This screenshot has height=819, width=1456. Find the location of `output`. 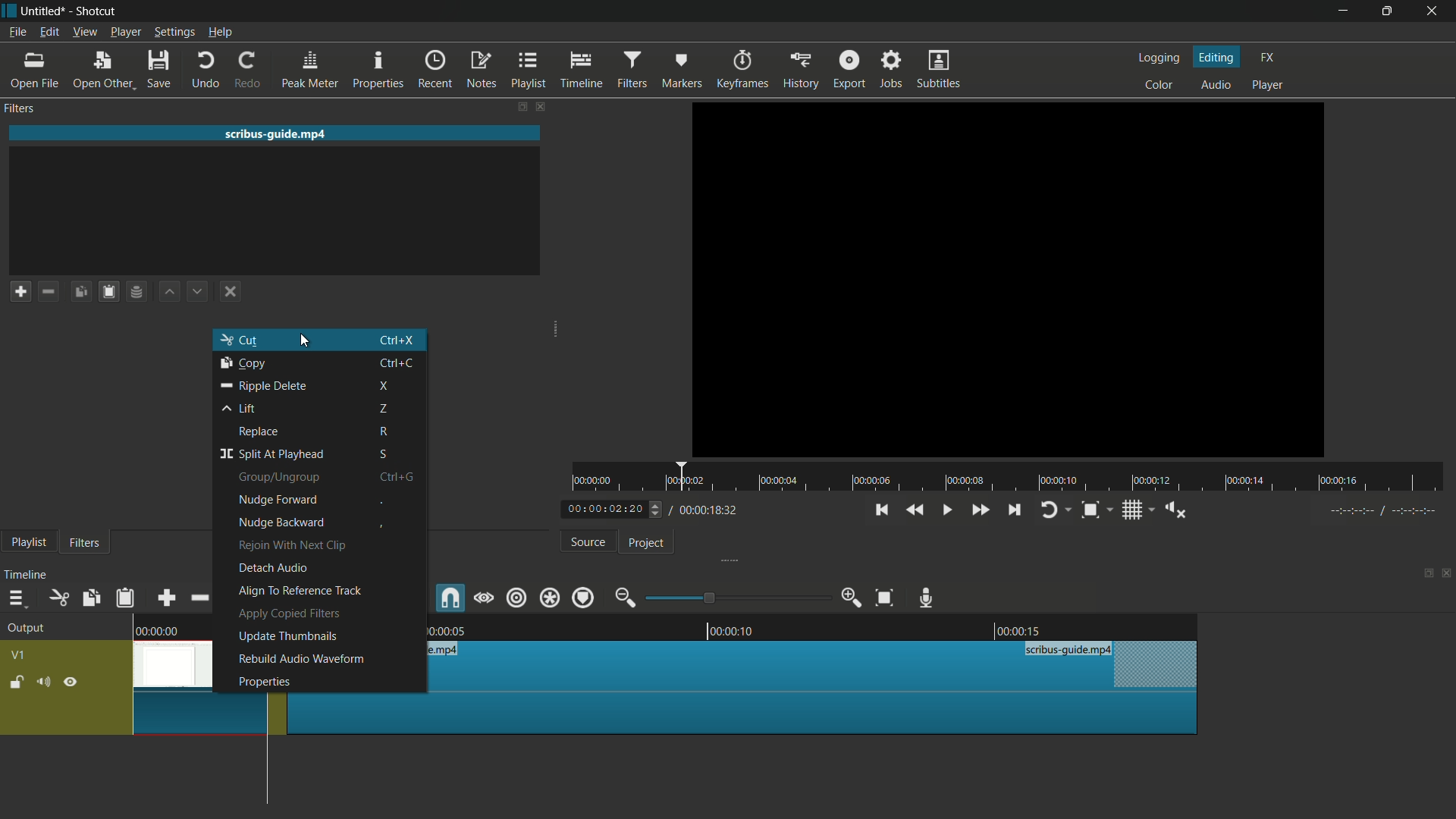

output is located at coordinates (26, 629).